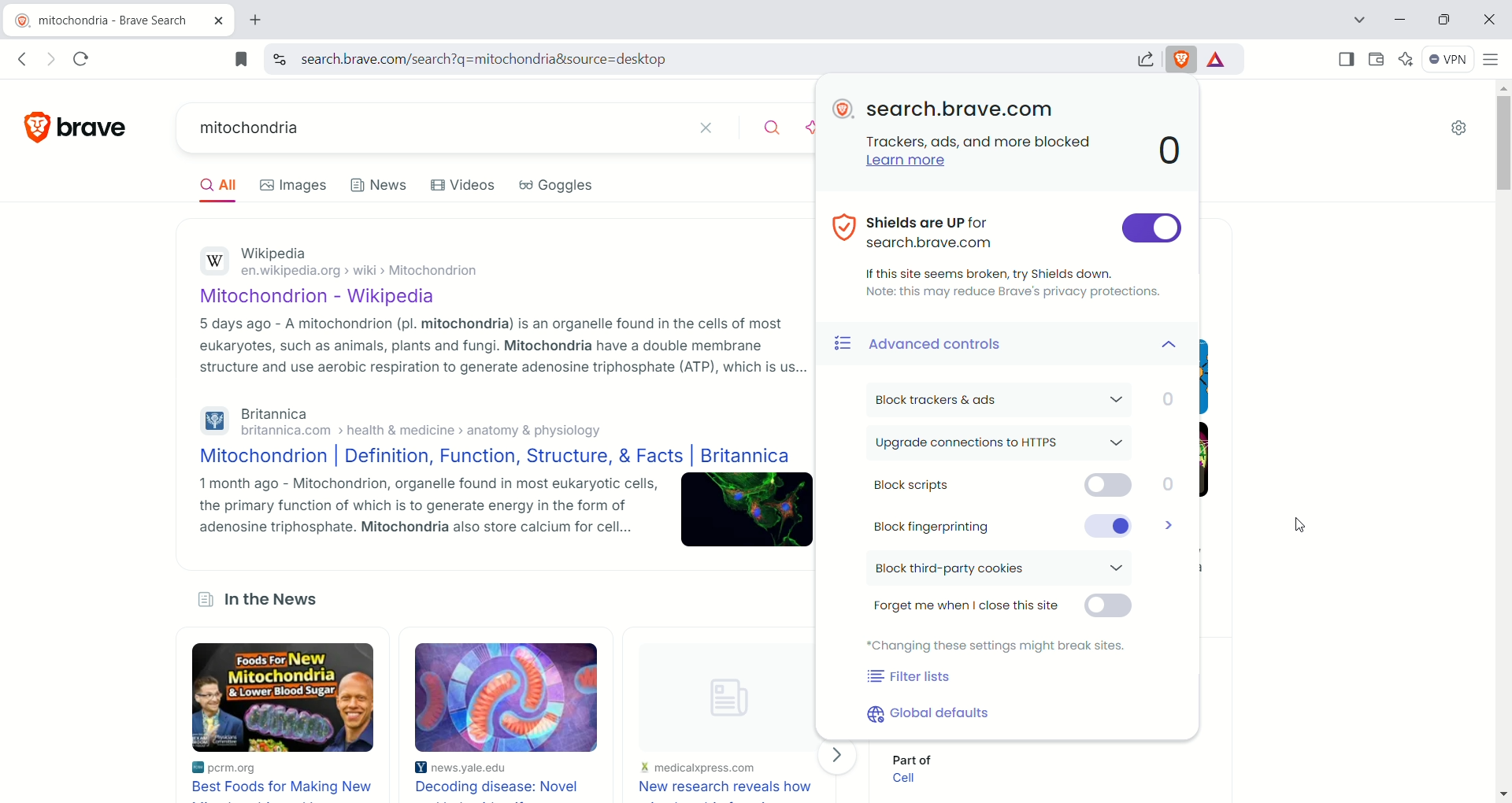 Image resolution: width=1512 pixels, height=803 pixels. Describe the element at coordinates (1503, 441) in the screenshot. I see `vertical scroll bar` at that location.